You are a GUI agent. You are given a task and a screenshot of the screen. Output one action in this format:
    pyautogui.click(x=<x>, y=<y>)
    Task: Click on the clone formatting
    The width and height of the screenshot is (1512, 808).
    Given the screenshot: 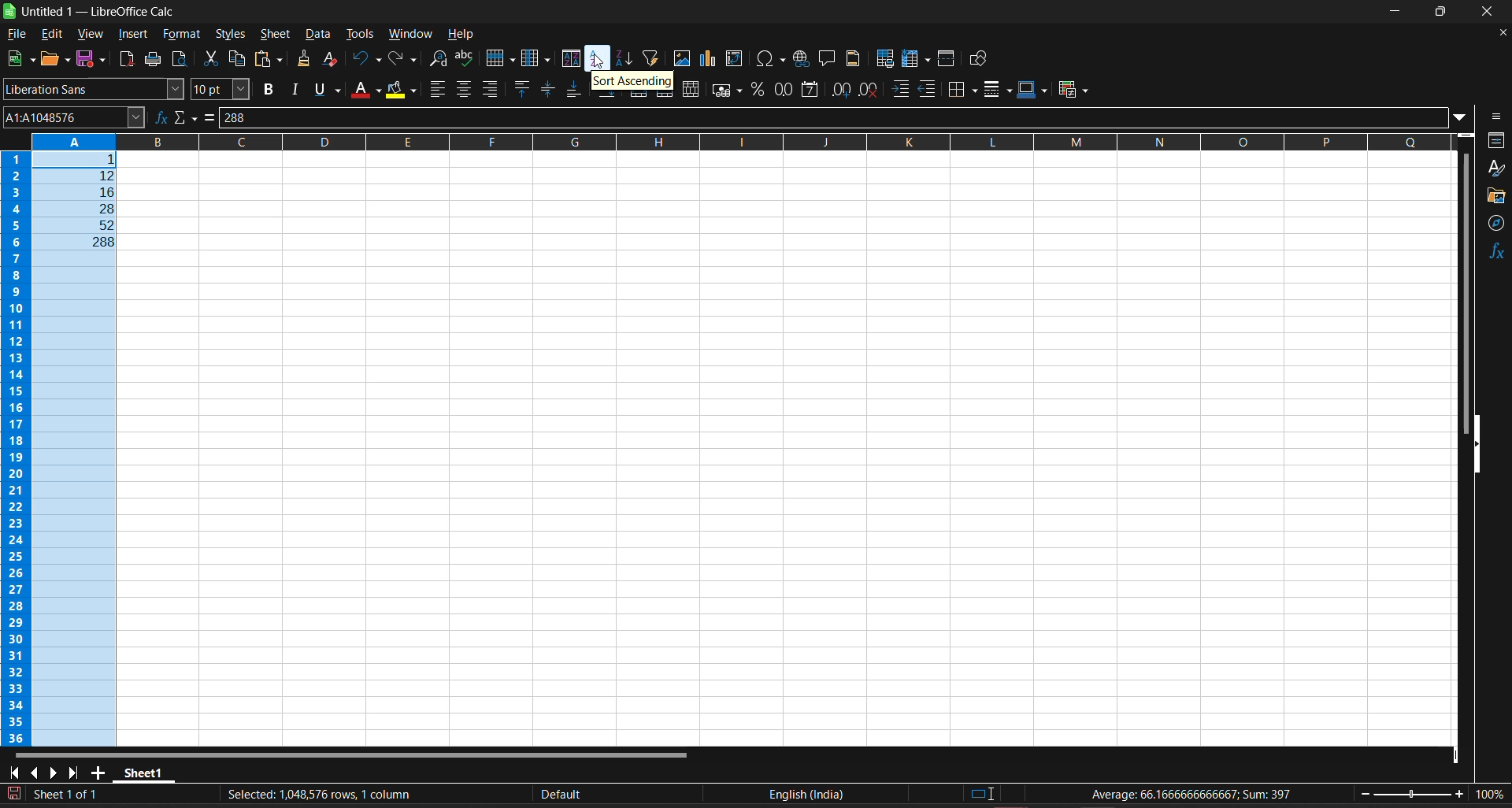 What is the action you would take?
    pyautogui.click(x=301, y=59)
    